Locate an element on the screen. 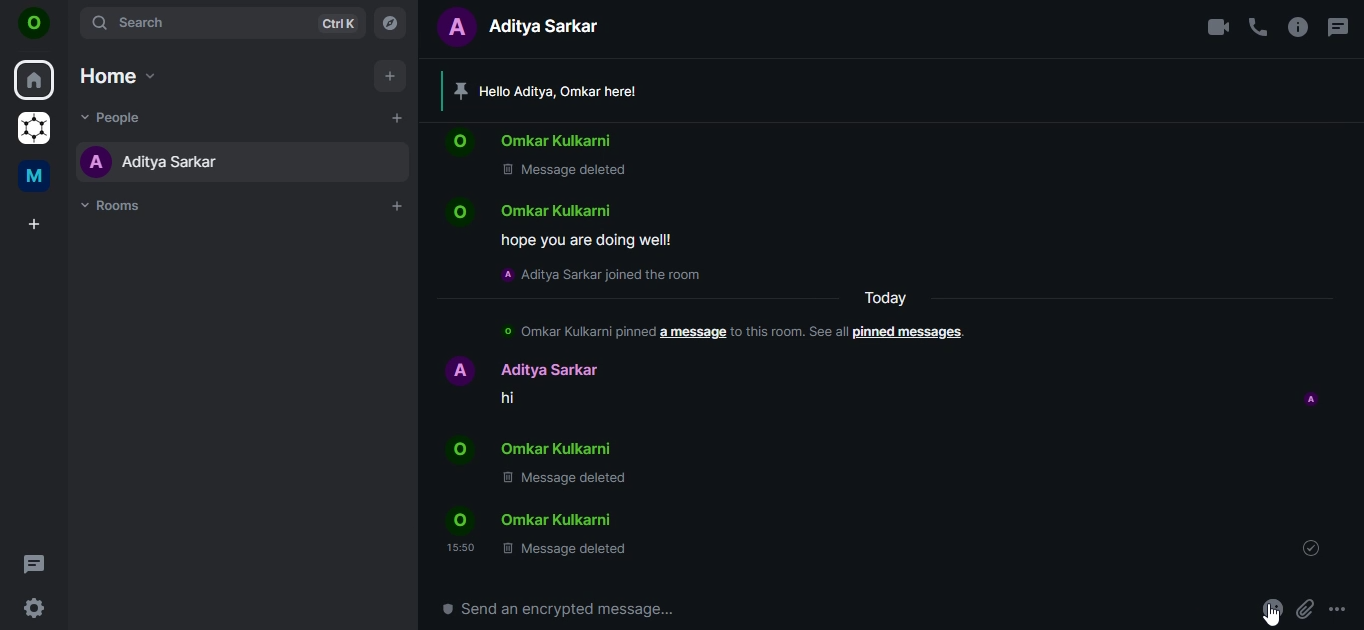 This screenshot has height=630, width=1364. text chain is located at coordinates (706, 322).